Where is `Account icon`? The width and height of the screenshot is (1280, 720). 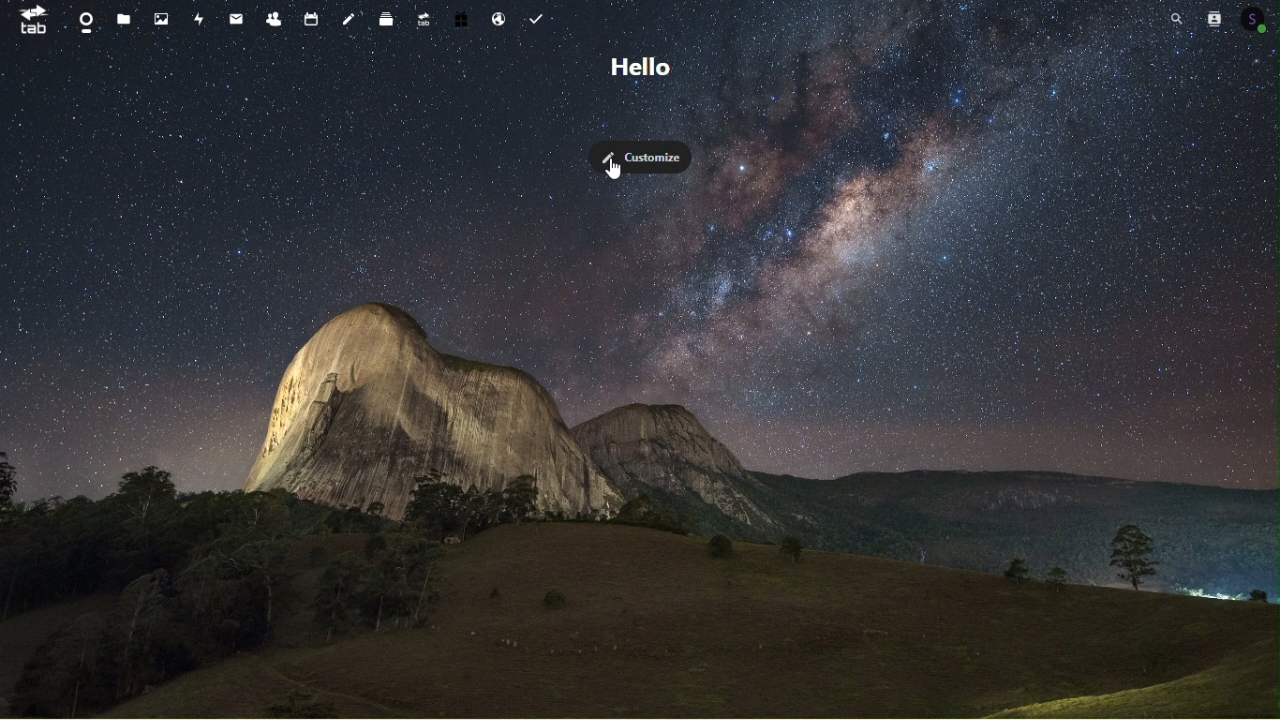
Account icon is located at coordinates (1256, 17).